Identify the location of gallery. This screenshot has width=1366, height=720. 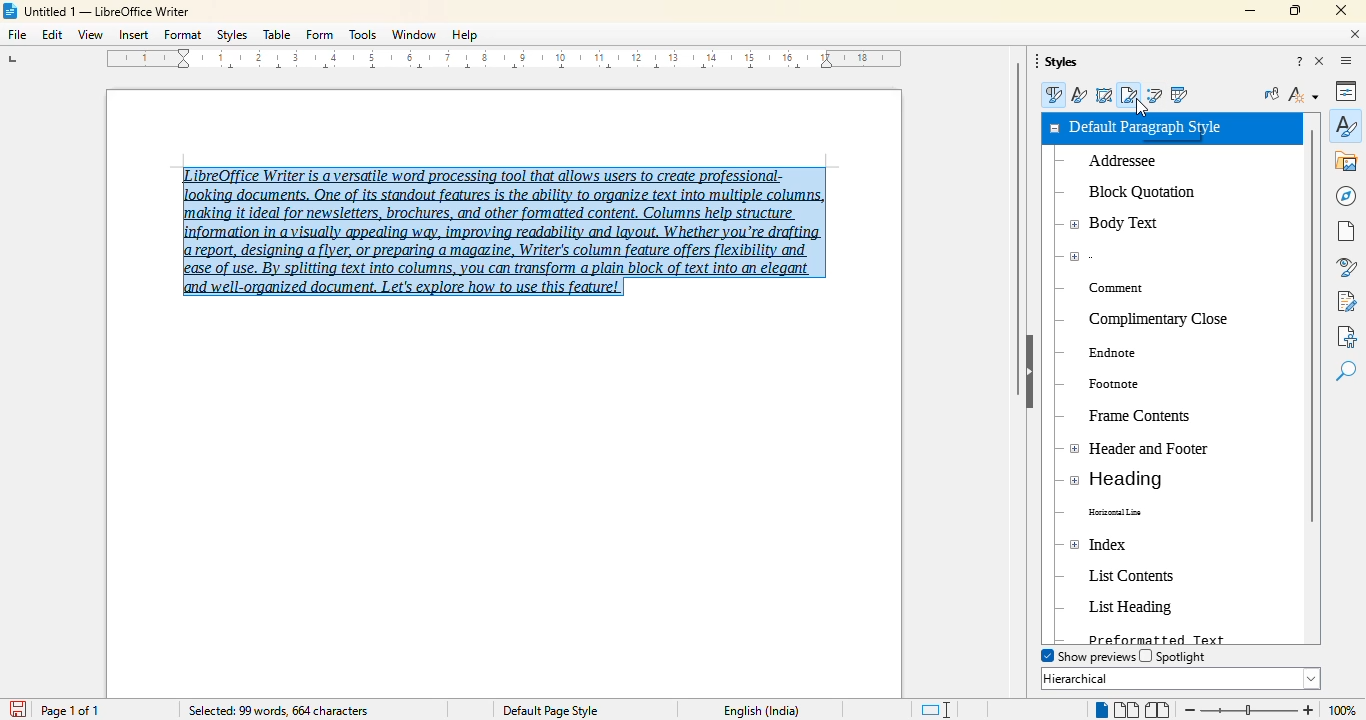
(1347, 161).